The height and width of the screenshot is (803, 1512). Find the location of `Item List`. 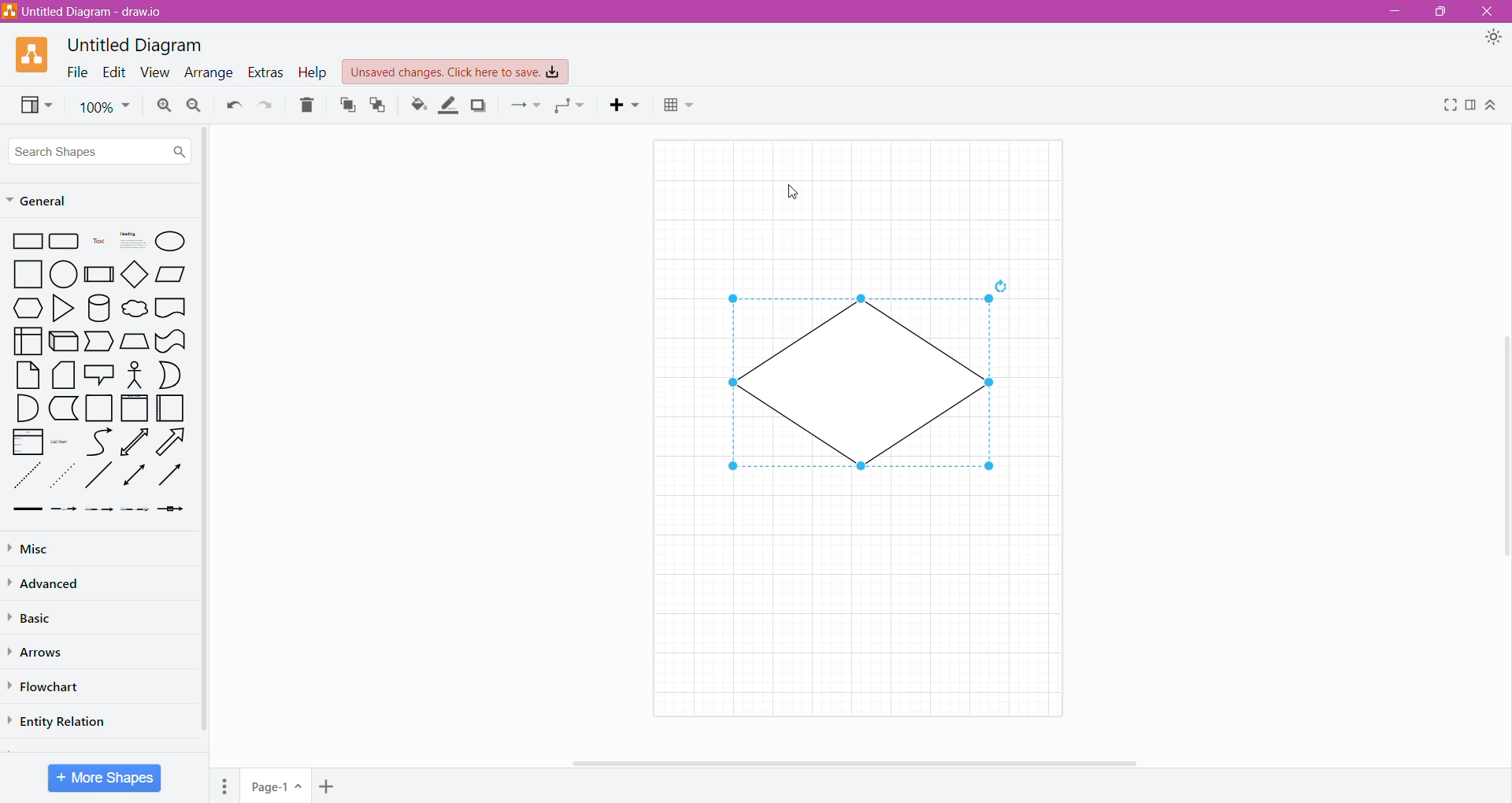

Item List is located at coordinates (28, 442).